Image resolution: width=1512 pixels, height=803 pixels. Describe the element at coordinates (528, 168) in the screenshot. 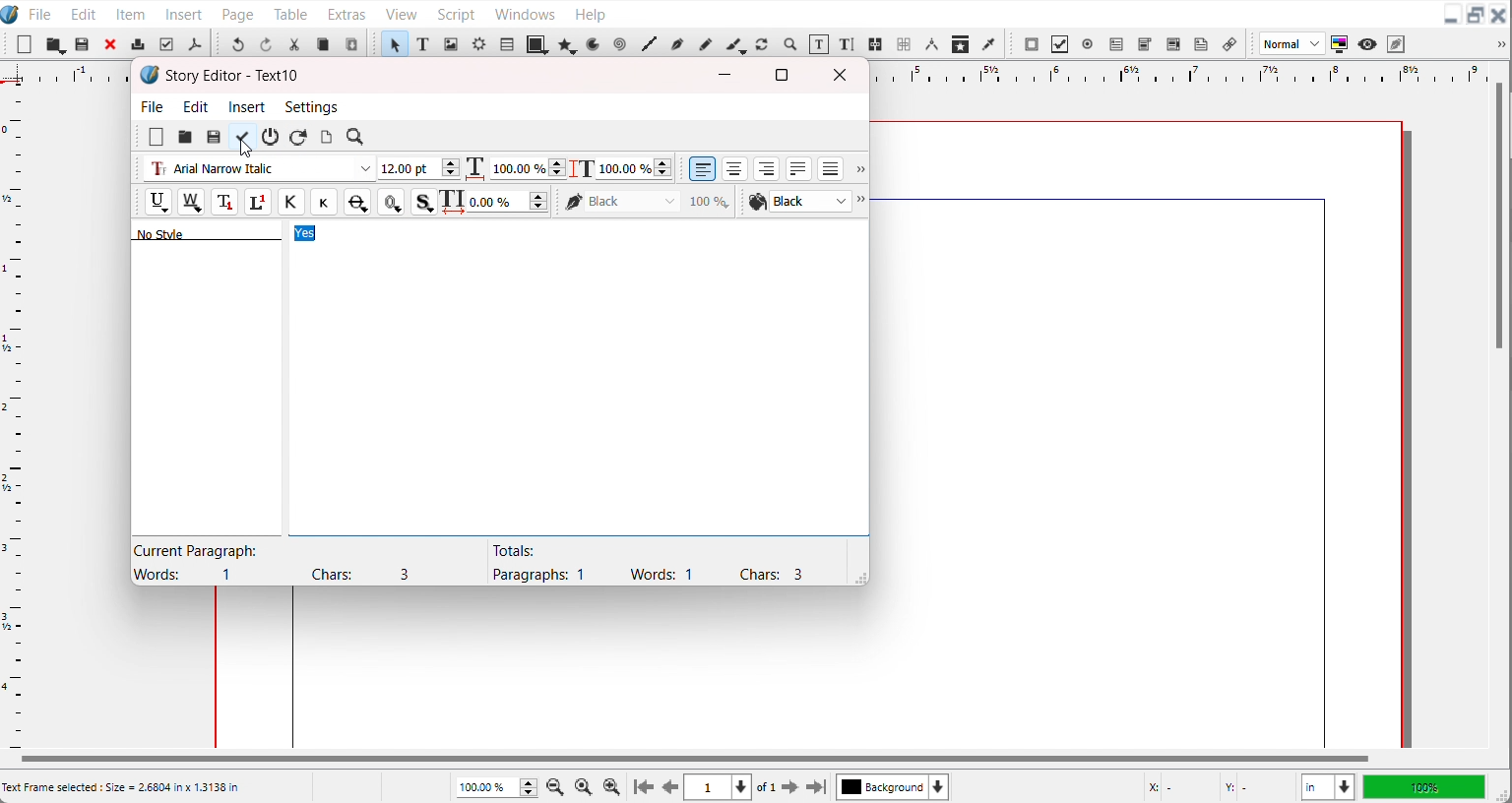

I see `Text width adjuster` at that location.